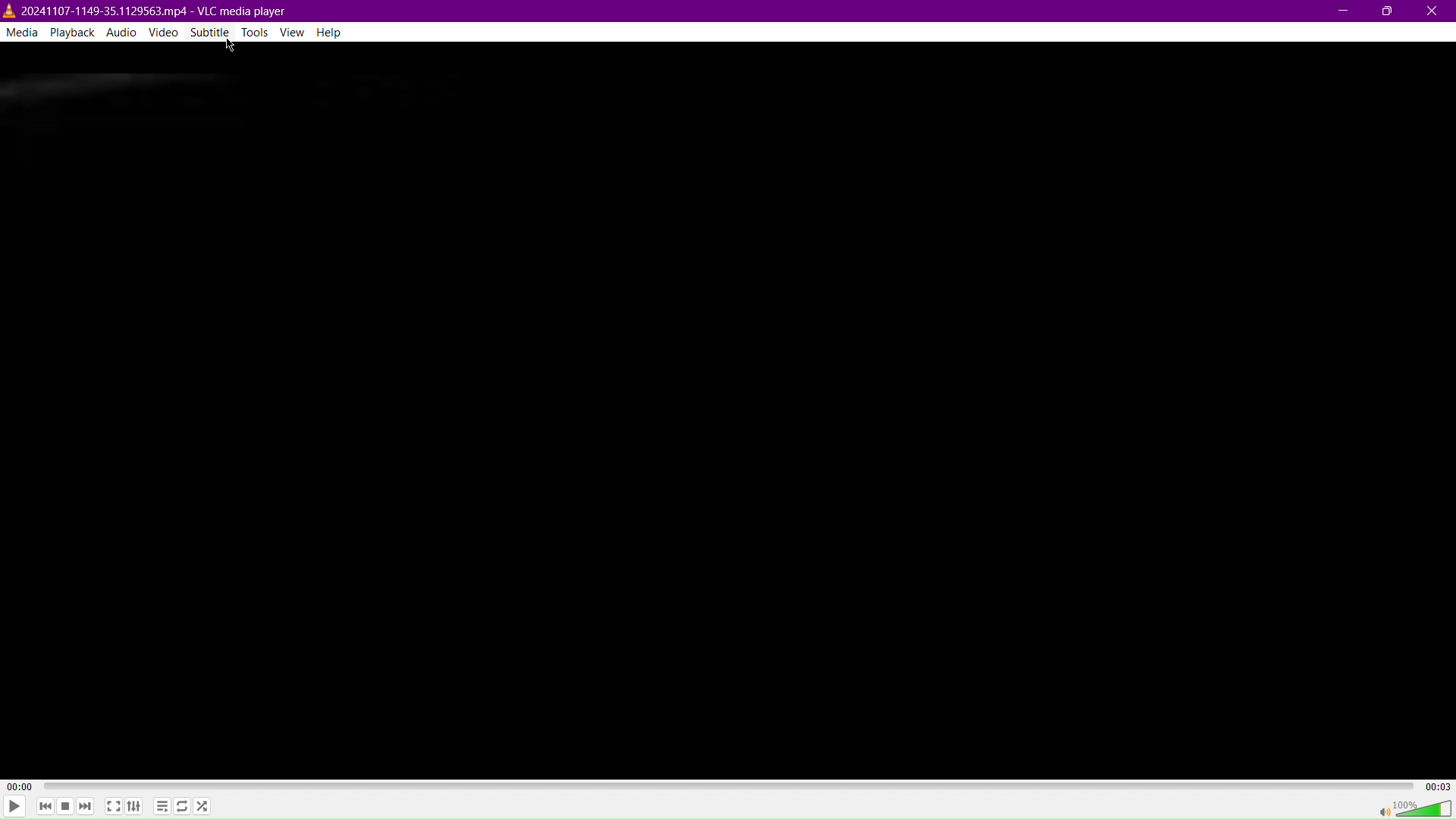 Image resolution: width=1456 pixels, height=819 pixels. What do you see at coordinates (166, 32) in the screenshot?
I see `Video` at bounding box center [166, 32].